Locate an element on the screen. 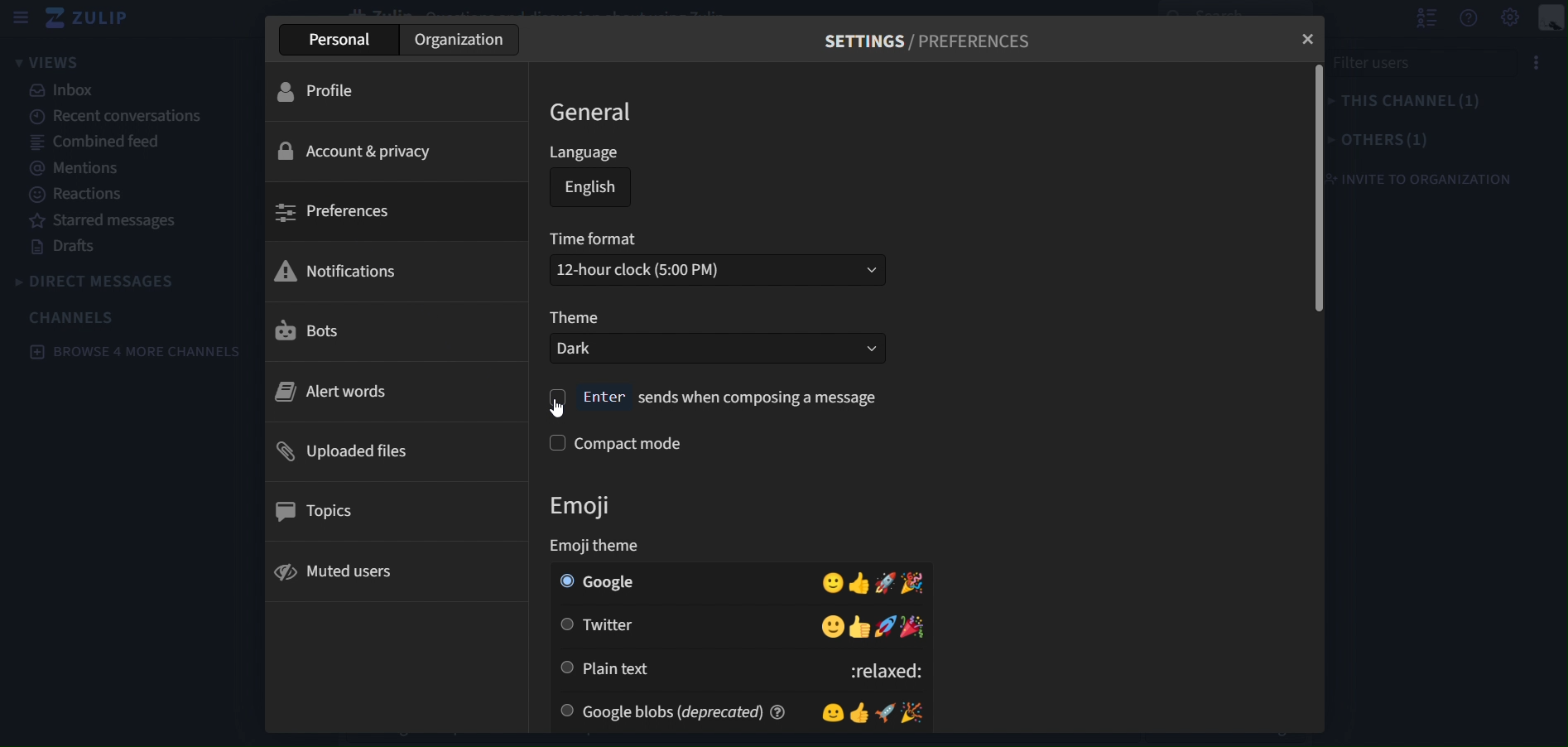 Image resolution: width=1568 pixels, height=747 pixels. setting is located at coordinates (1508, 18).